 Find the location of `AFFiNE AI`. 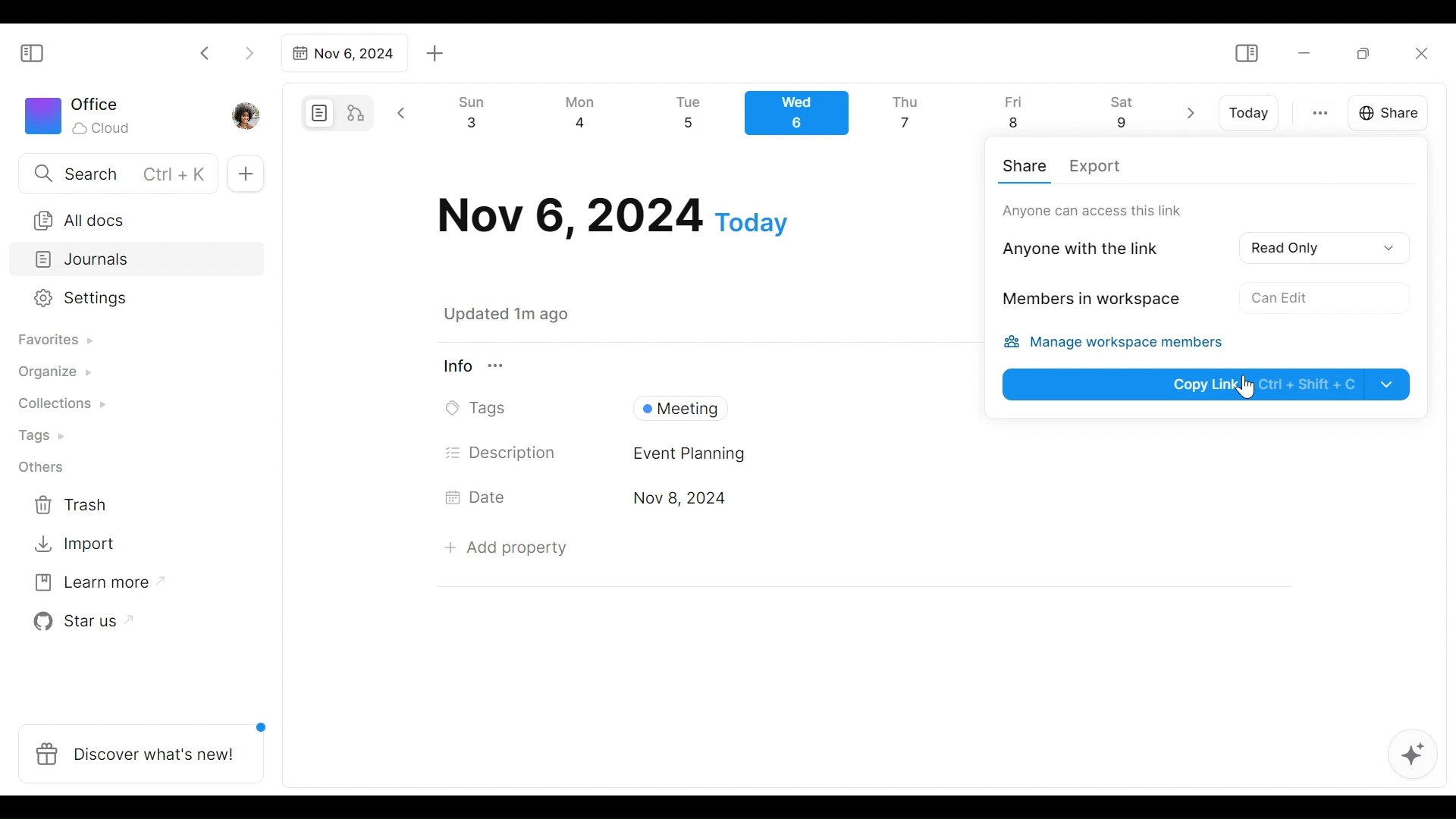

AFFiNE AI is located at coordinates (1413, 756).